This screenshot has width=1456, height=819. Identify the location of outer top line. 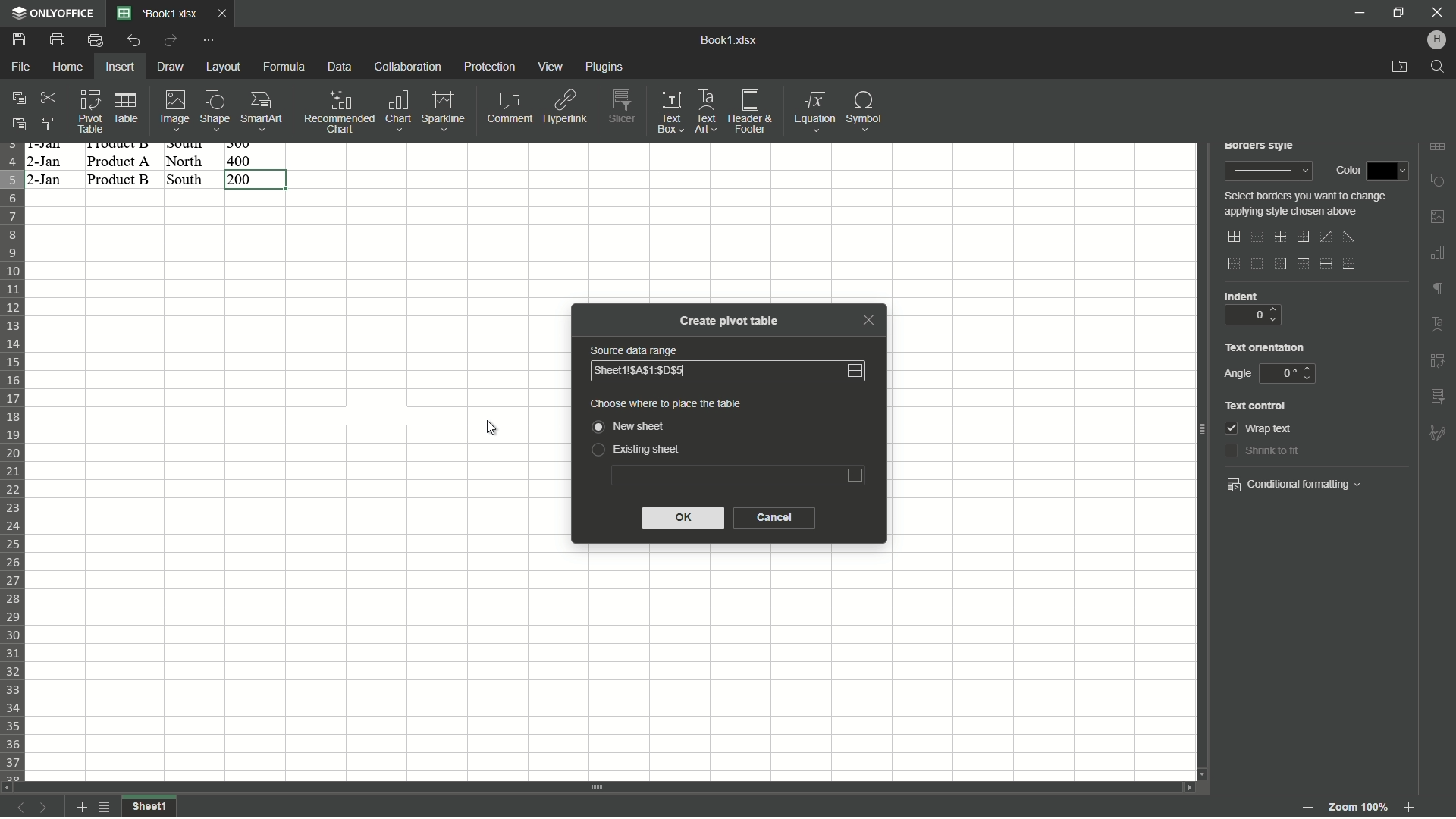
(1301, 265).